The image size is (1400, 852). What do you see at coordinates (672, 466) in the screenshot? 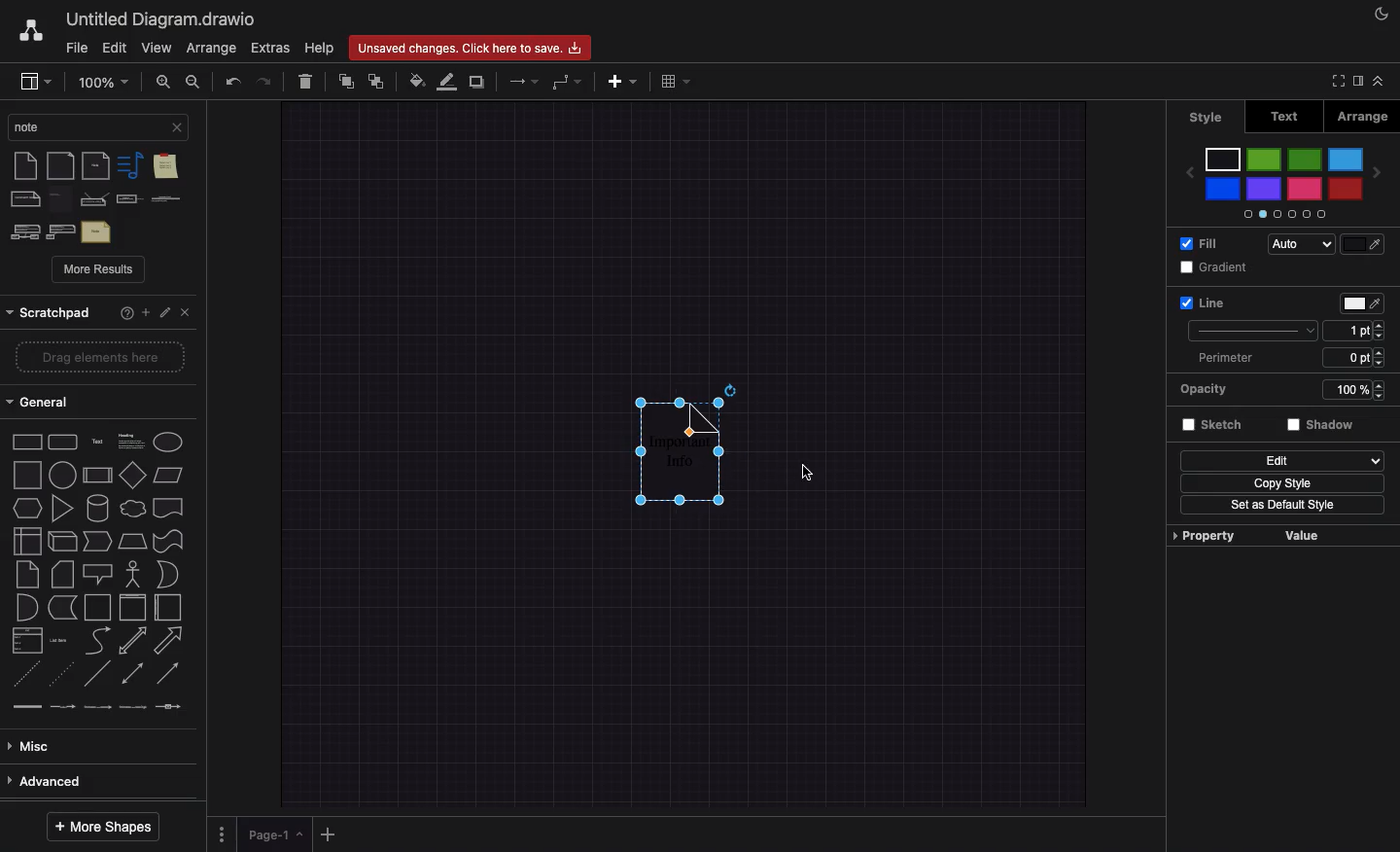
I see `Floating note` at bounding box center [672, 466].